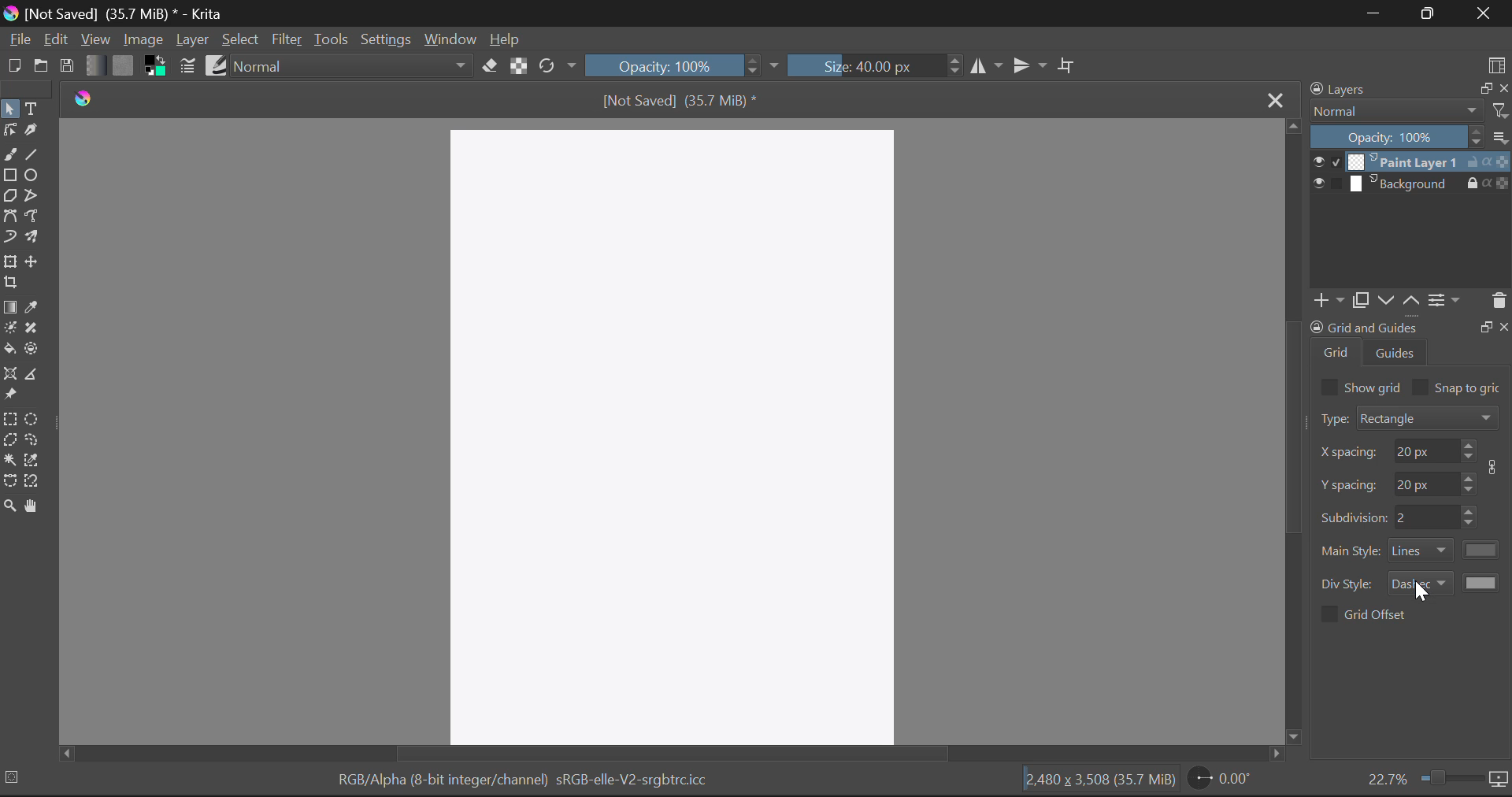 This screenshot has height=797, width=1512. I want to click on spacing x, so click(1424, 450).